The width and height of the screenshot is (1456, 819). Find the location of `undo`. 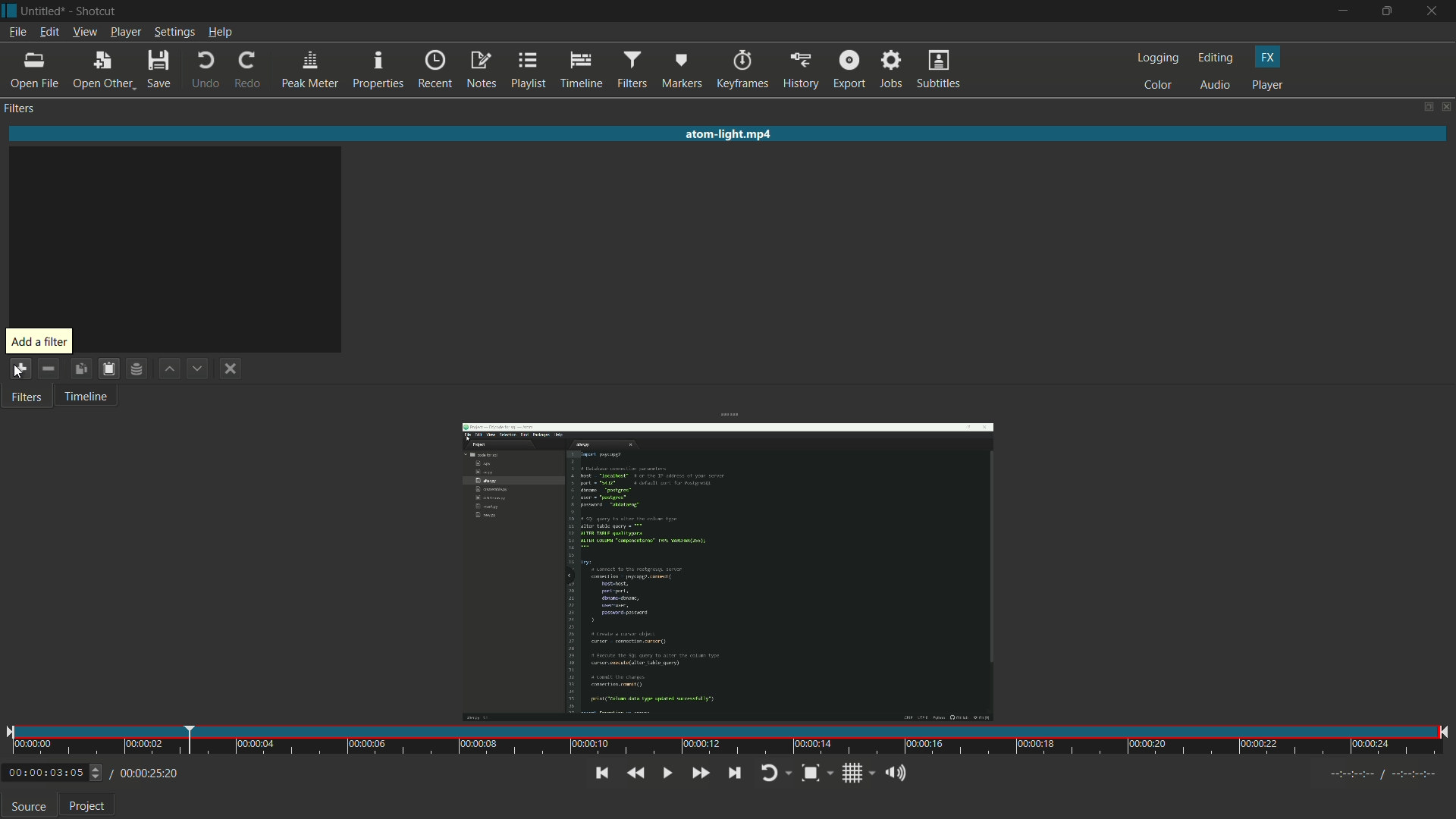

undo is located at coordinates (203, 71).